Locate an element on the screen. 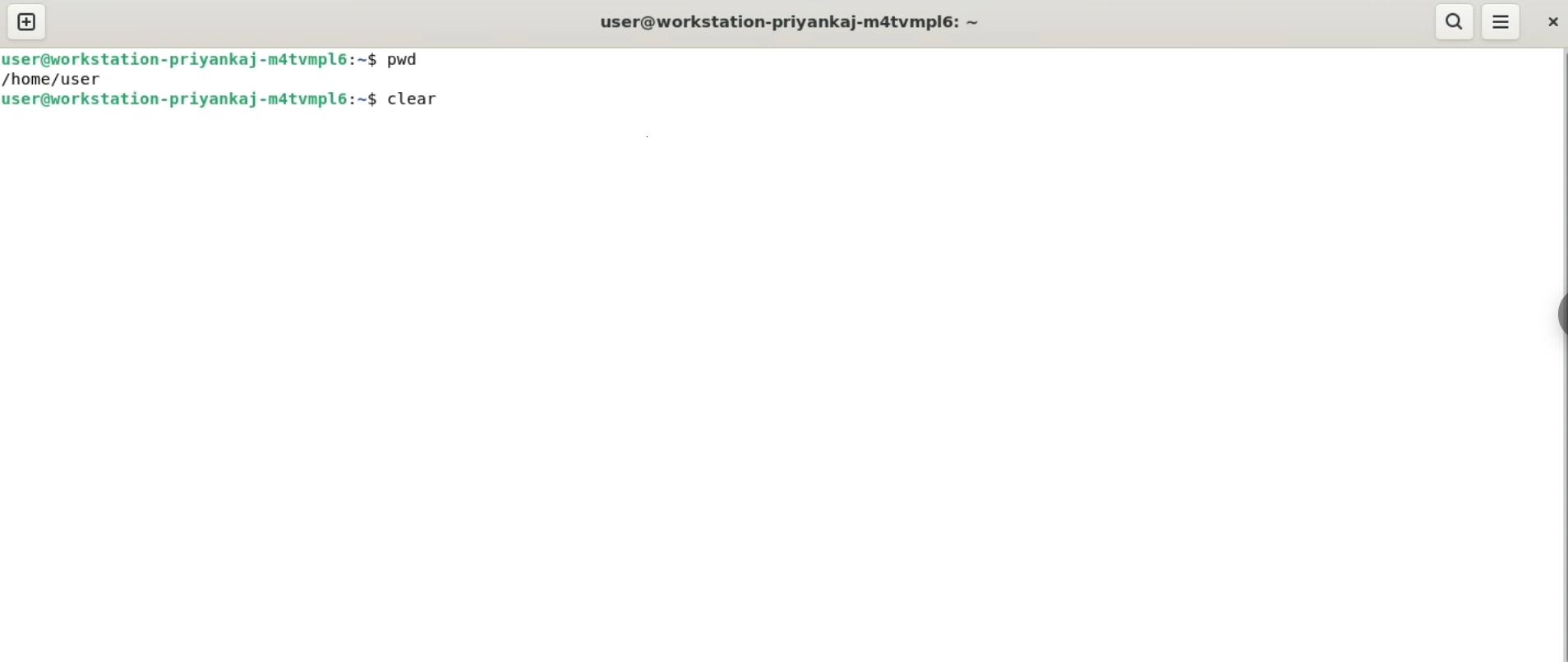 This screenshot has height=662, width=1568. menu is located at coordinates (1502, 23).